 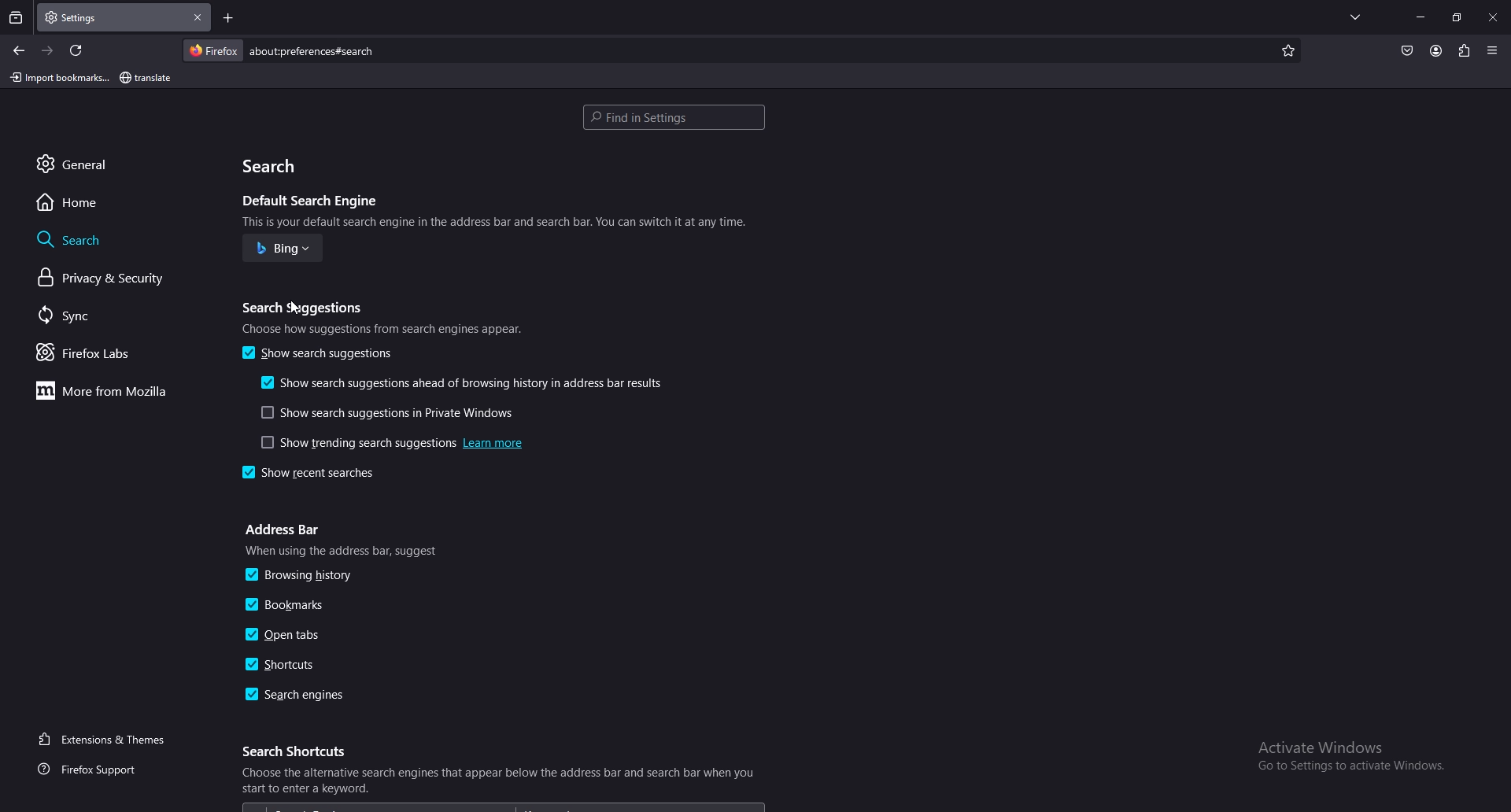 I want to click on show trending search suggestions, so click(x=388, y=442).